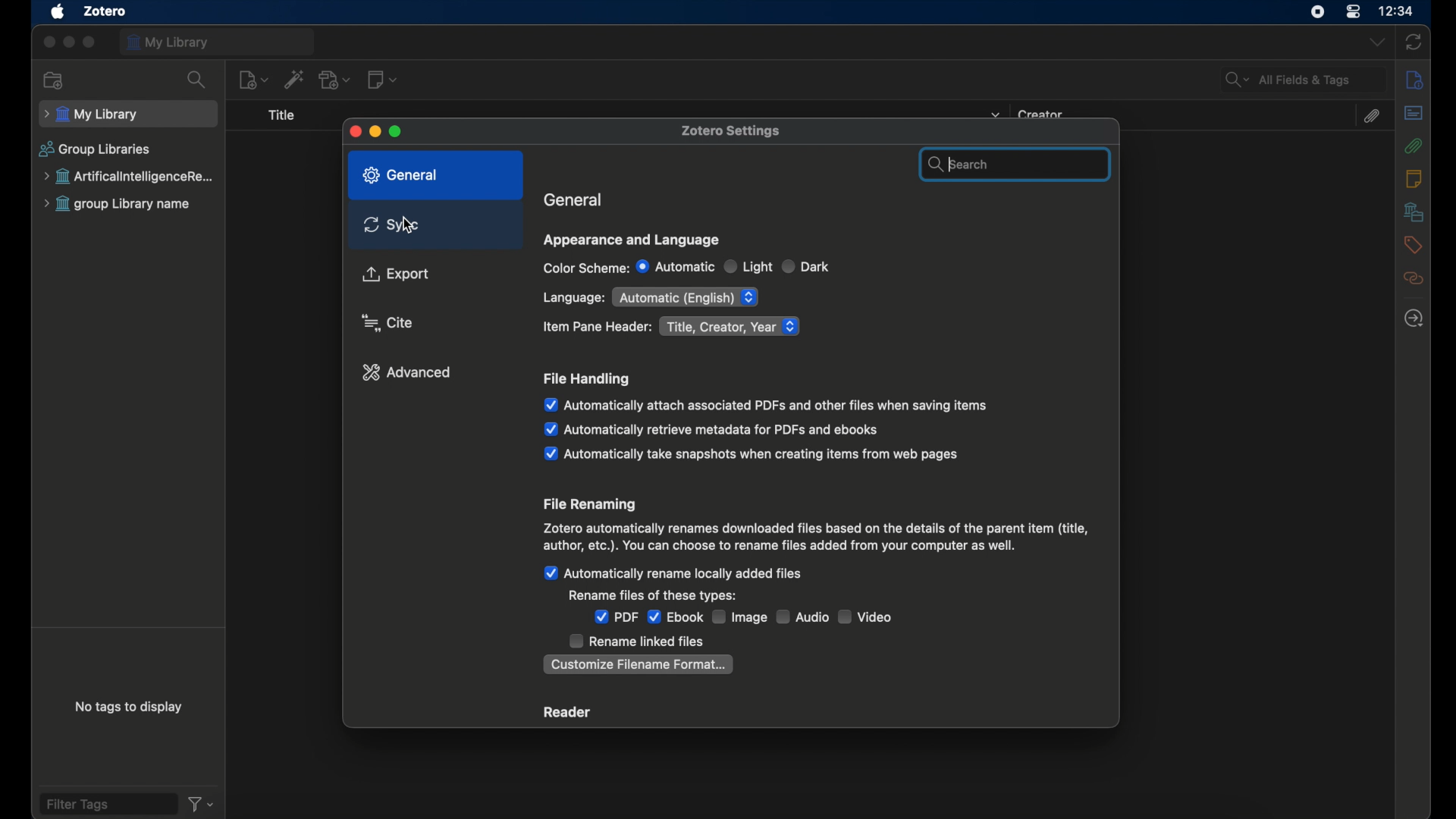  Describe the element at coordinates (1413, 146) in the screenshot. I see `attachments` at that location.